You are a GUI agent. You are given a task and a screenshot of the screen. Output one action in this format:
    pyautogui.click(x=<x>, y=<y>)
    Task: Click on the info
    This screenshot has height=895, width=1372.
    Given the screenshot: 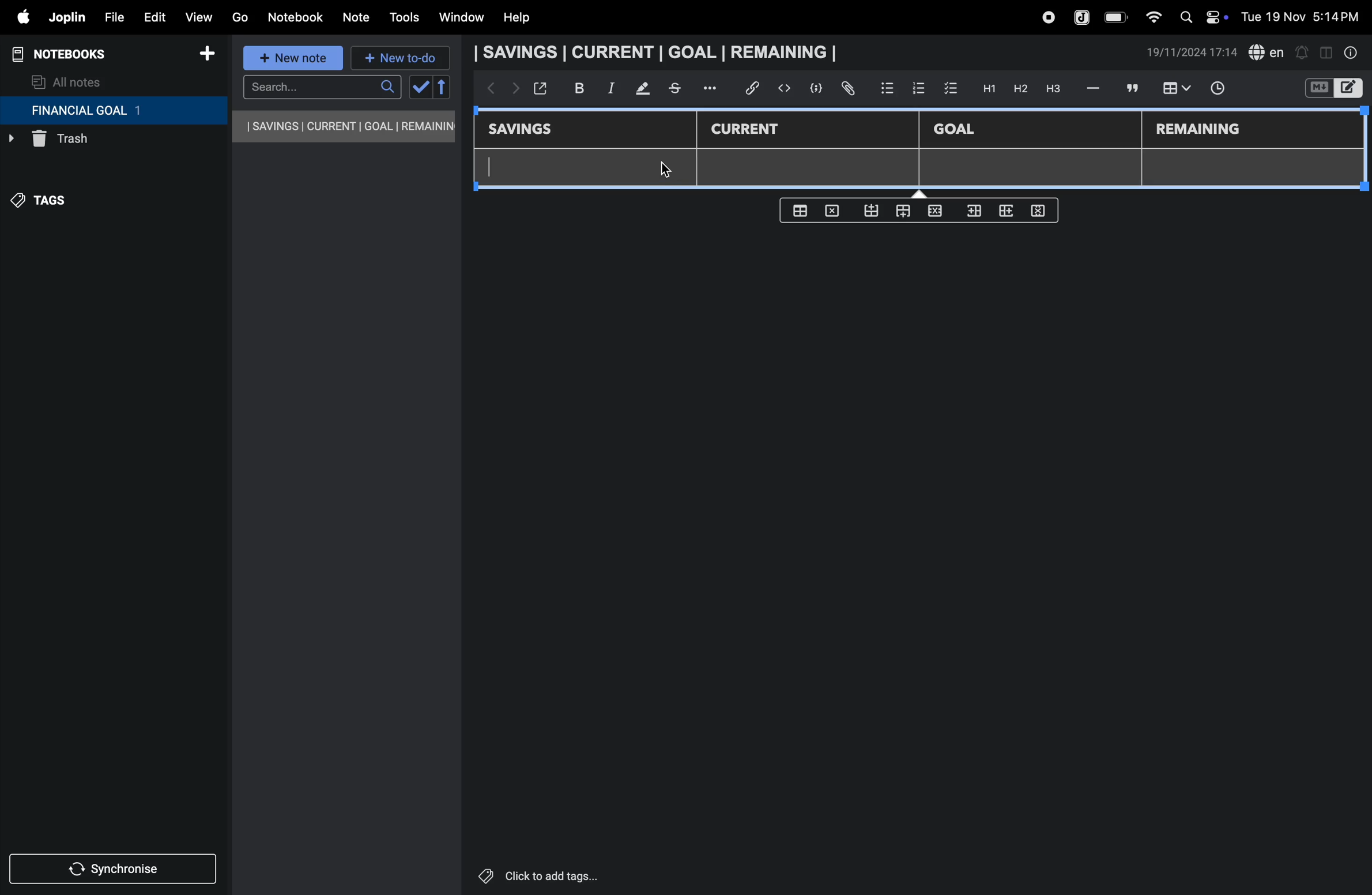 What is the action you would take?
    pyautogui.click(x=1352, y=52)
    